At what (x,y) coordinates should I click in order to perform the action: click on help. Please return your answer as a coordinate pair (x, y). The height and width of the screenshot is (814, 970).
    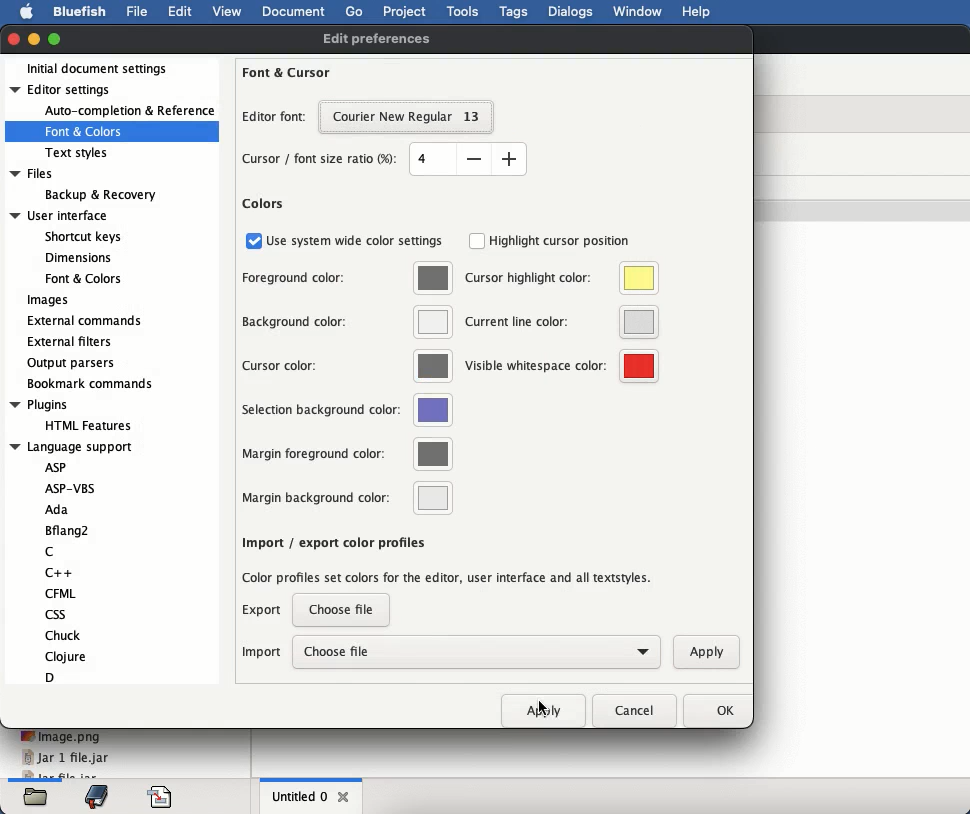
    Looking at the image, I should click on (696, 12).